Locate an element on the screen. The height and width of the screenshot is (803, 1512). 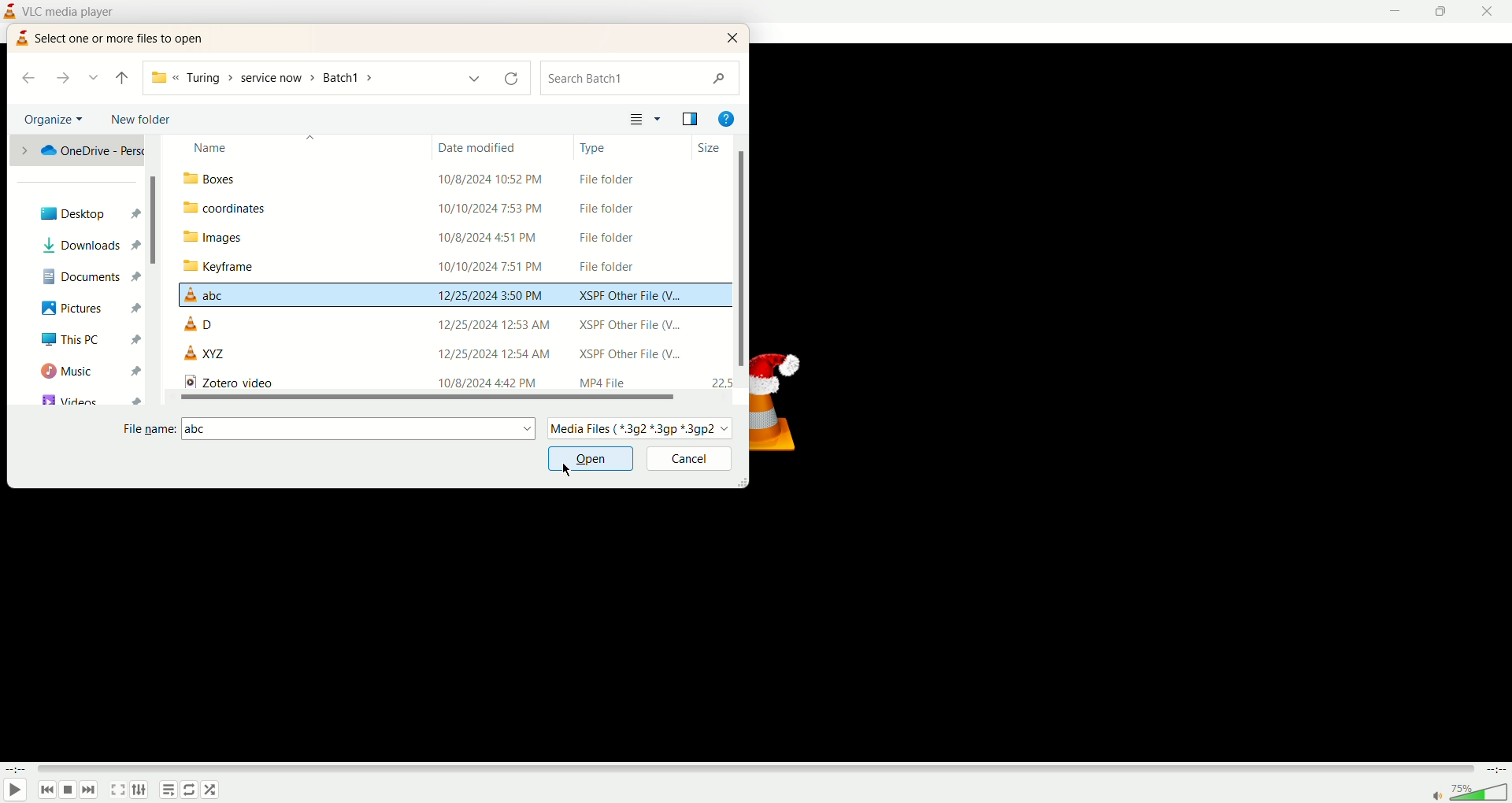
time is located at coordinates (16, 770).